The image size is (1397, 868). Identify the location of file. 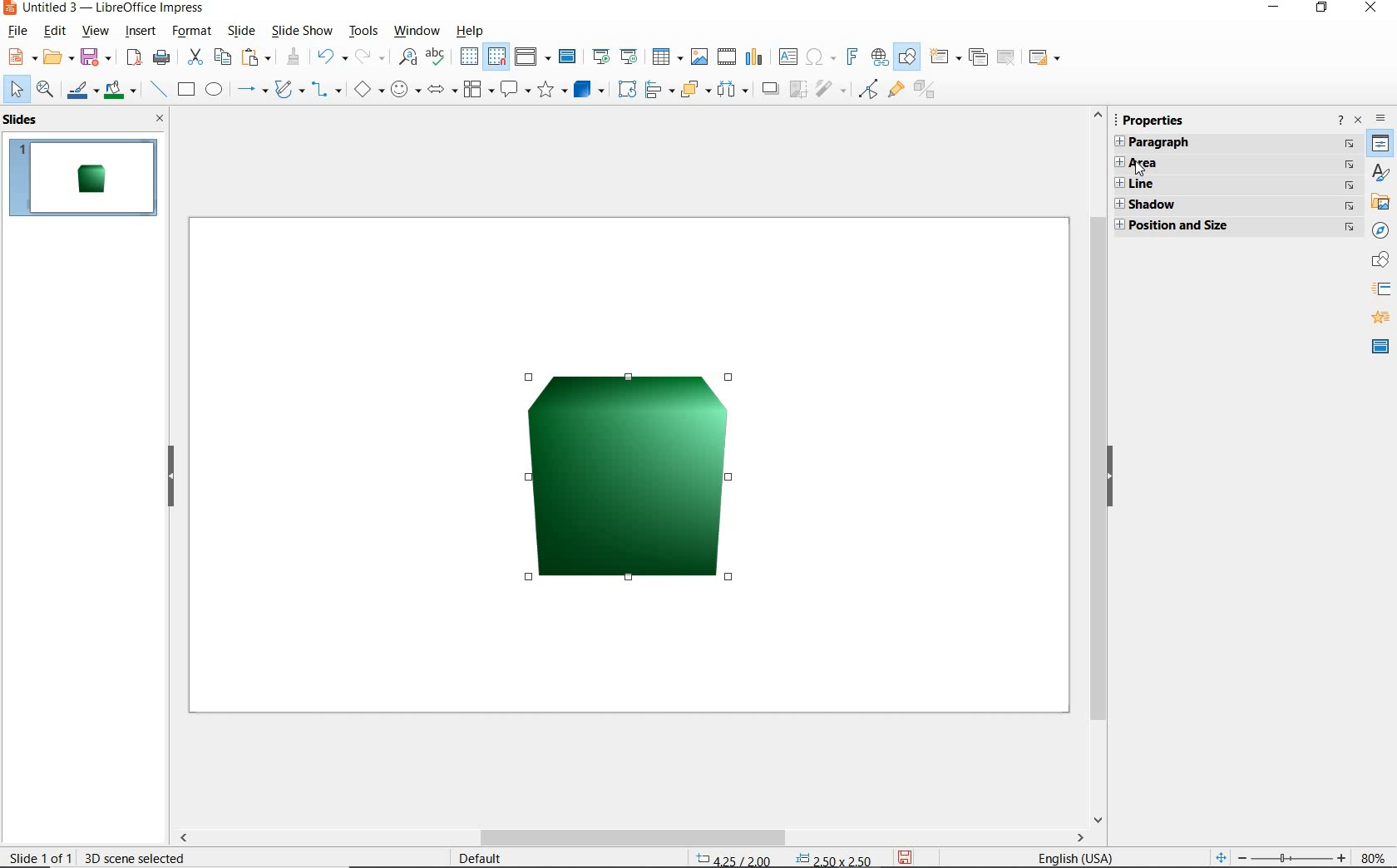
(20, 31).